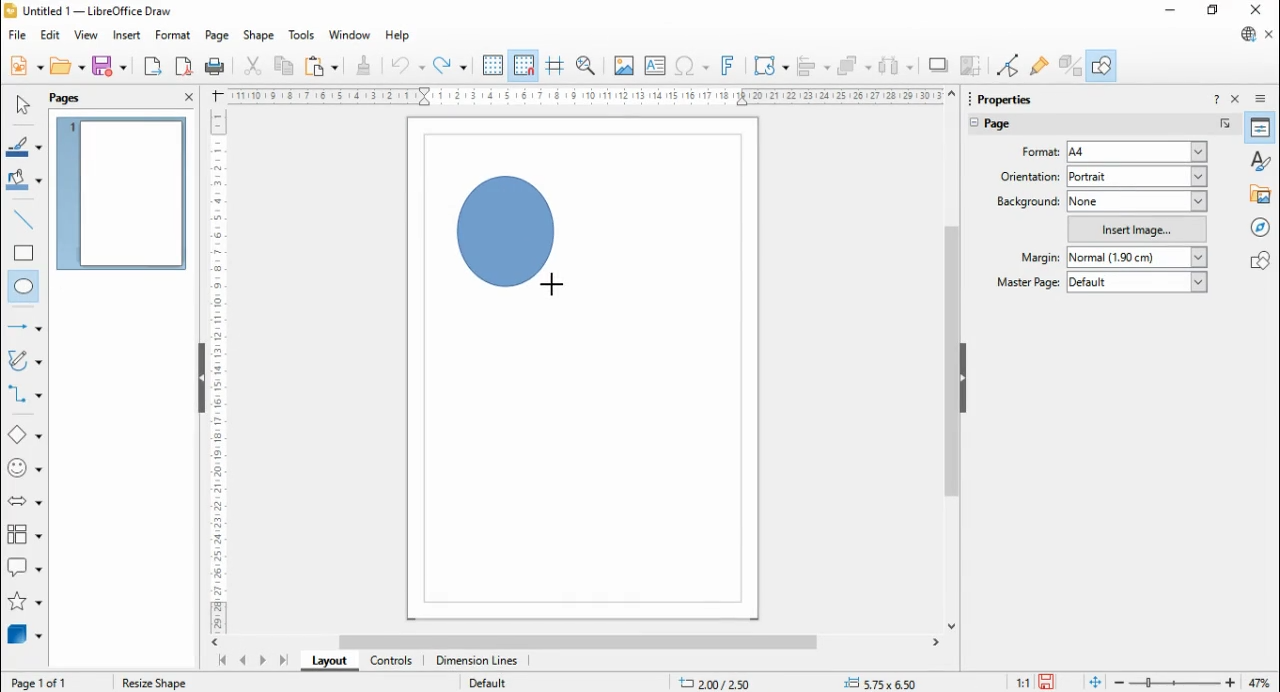 This screenshot has width=1280, height=692. I want to click on print, so click(214, 66).